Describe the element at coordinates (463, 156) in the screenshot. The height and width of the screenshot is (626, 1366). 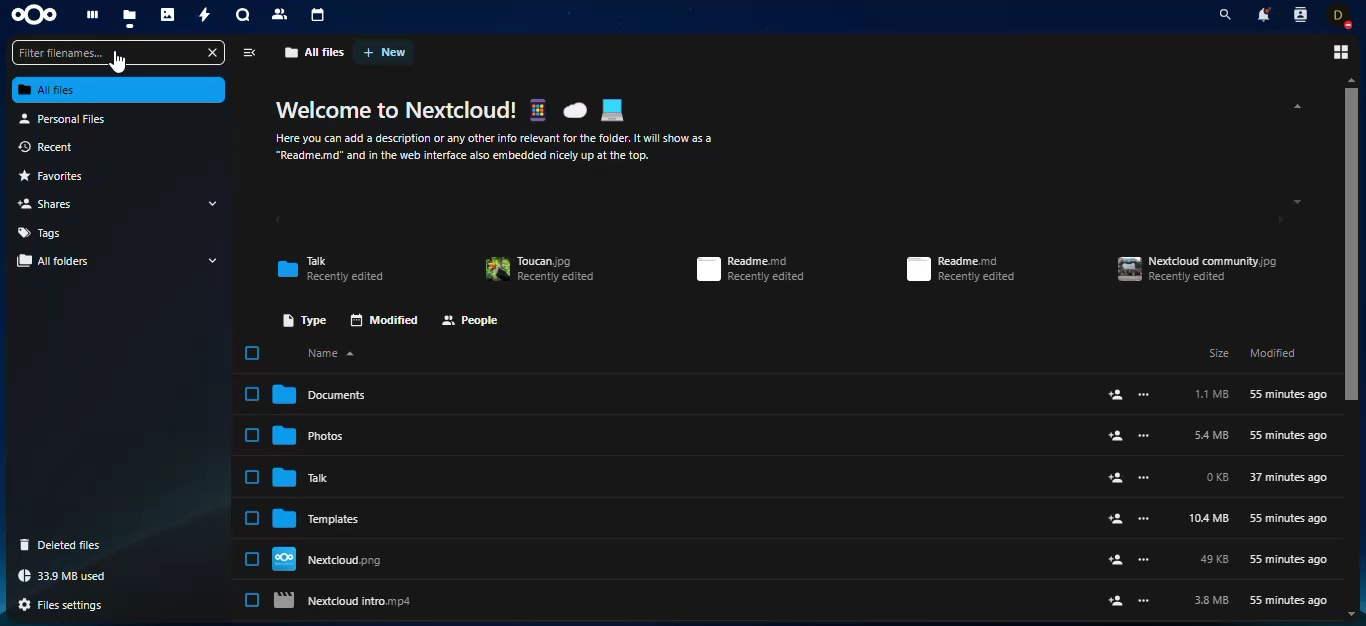
I see `“Readme.md” and in the web interface also embedded nicely up at the top.` at that location.